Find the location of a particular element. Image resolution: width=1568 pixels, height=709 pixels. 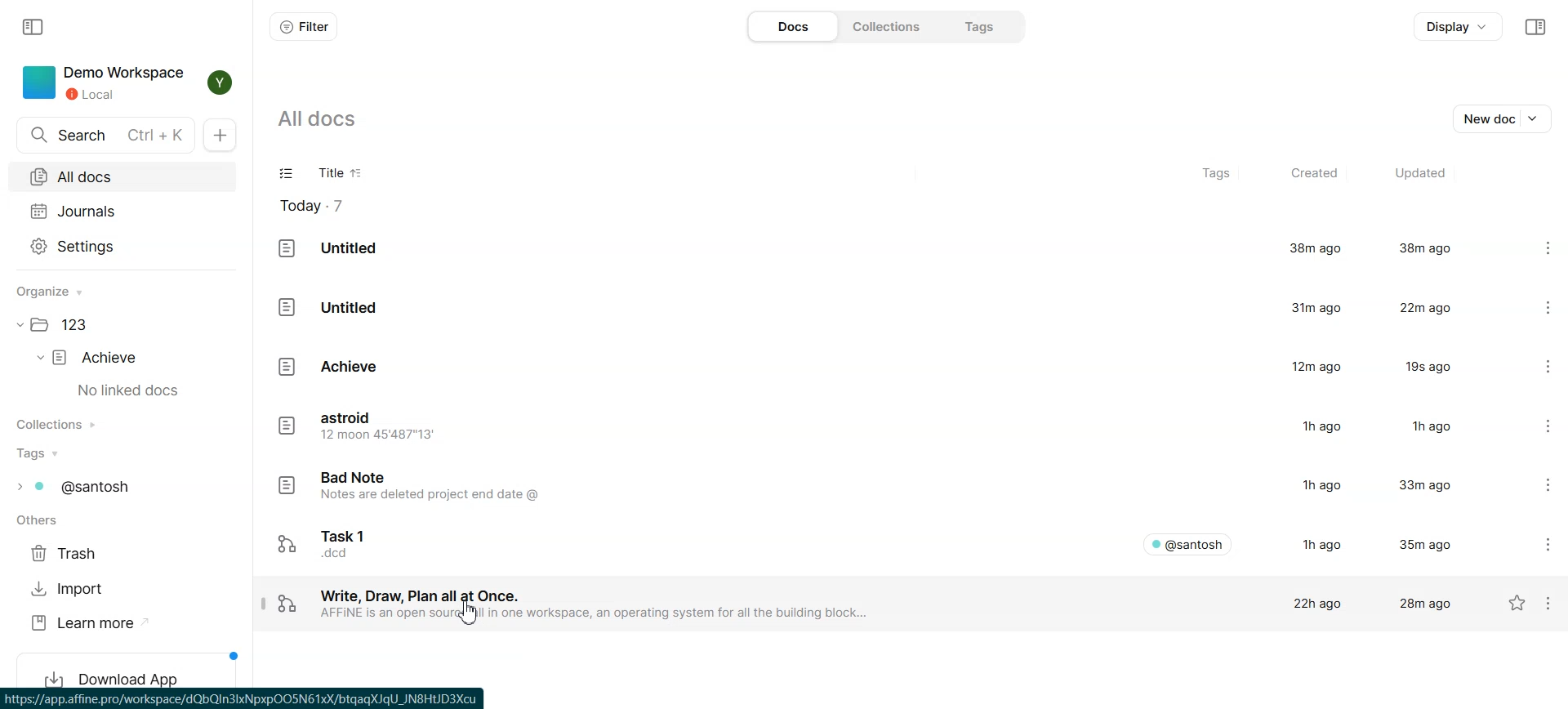

Collapse sidebar is located at coordinates (35, 25).